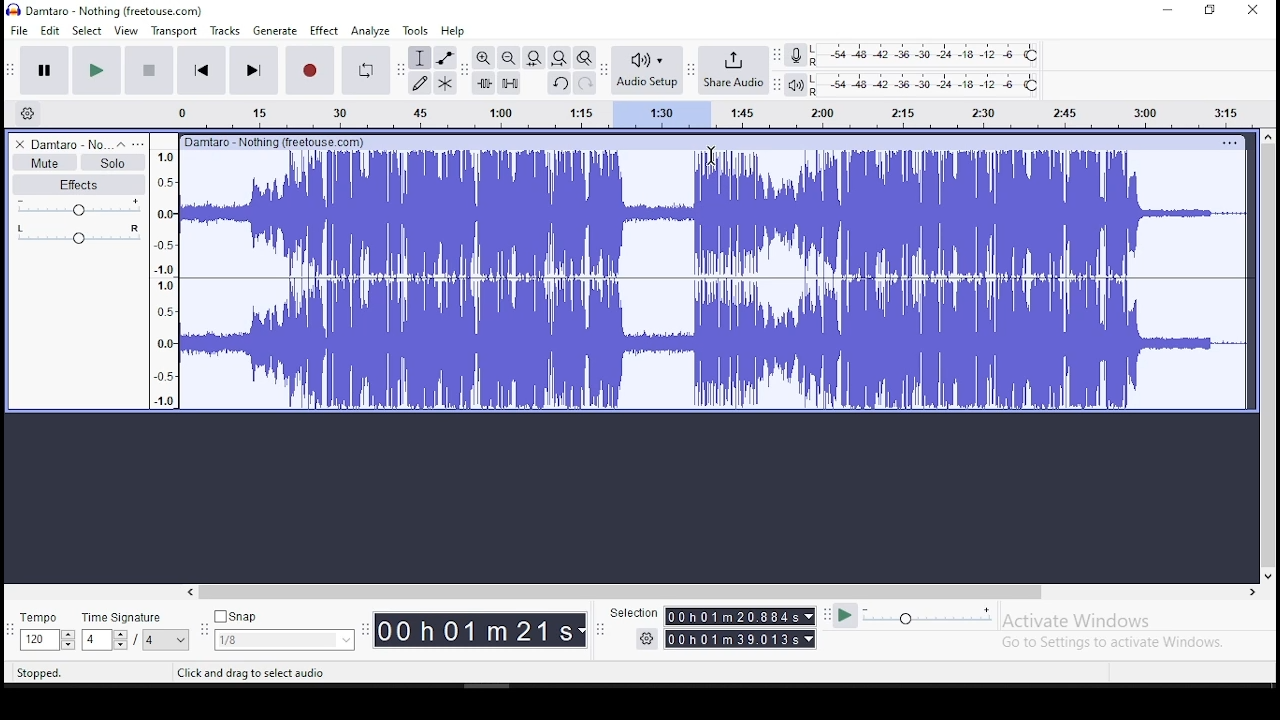  What do you see at coordinates (583, 59) in the screenshot?
I see `zoom toggle` at bounding box center [583, 59].